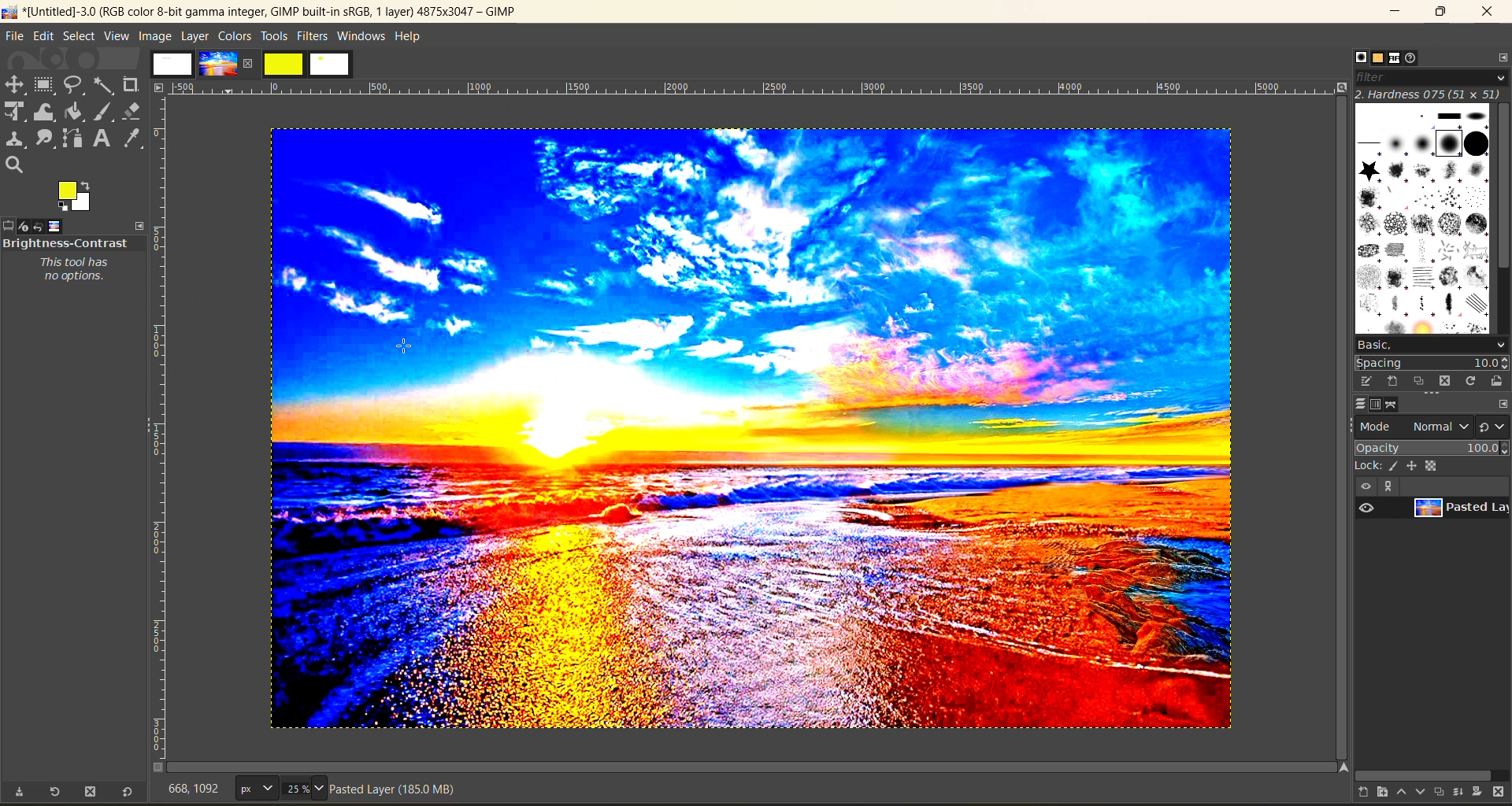 The height and width of the screenshot is (806, 1512). What do you see at coordinates (1487, 13) in the screenshot?
I see `close` at bounding box center [1487, 13].